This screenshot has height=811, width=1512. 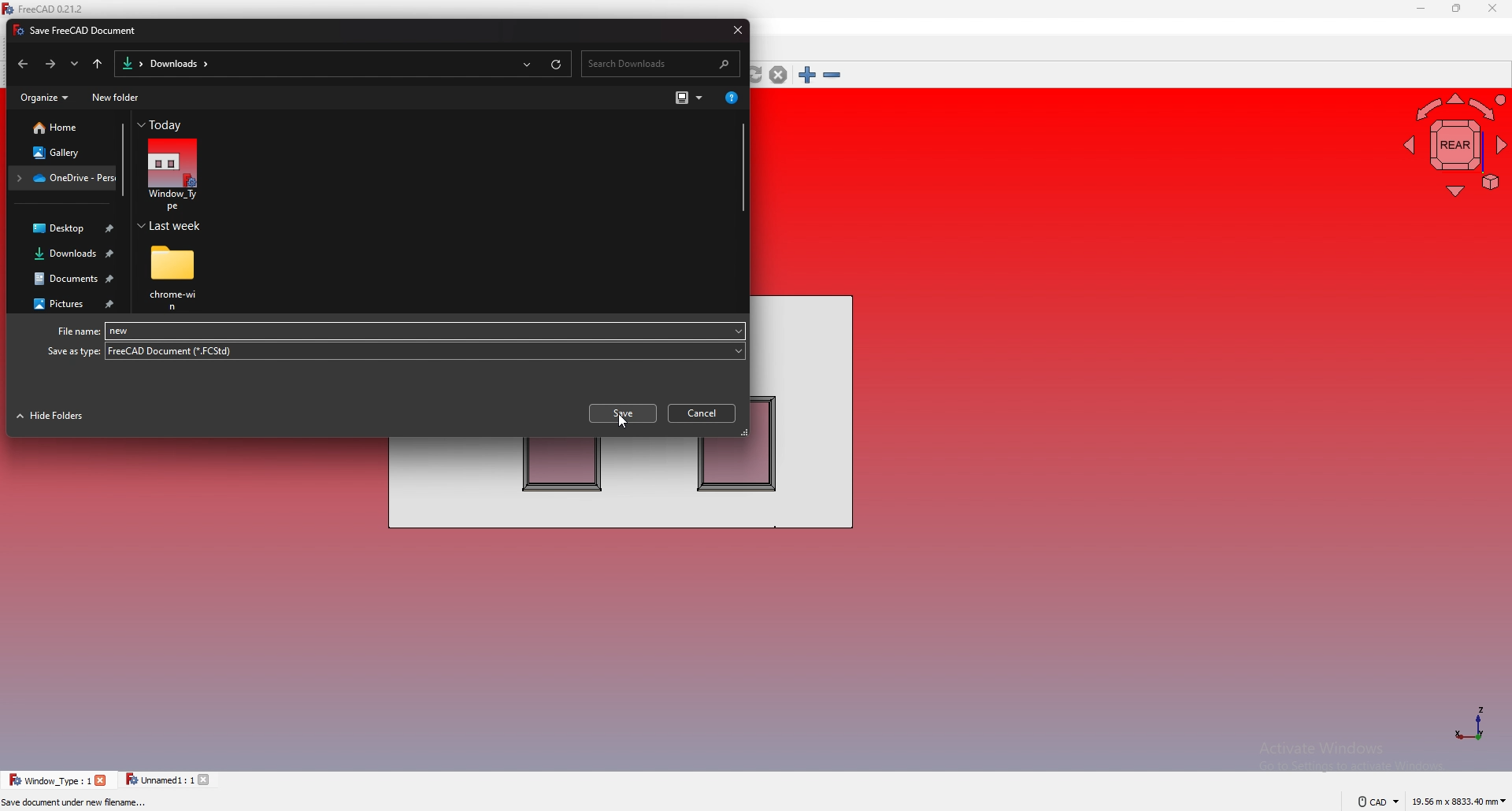 What do you see at coordinates (74, 332) in the screenshot?
I see `file name:` at bounding box center [74, 332].